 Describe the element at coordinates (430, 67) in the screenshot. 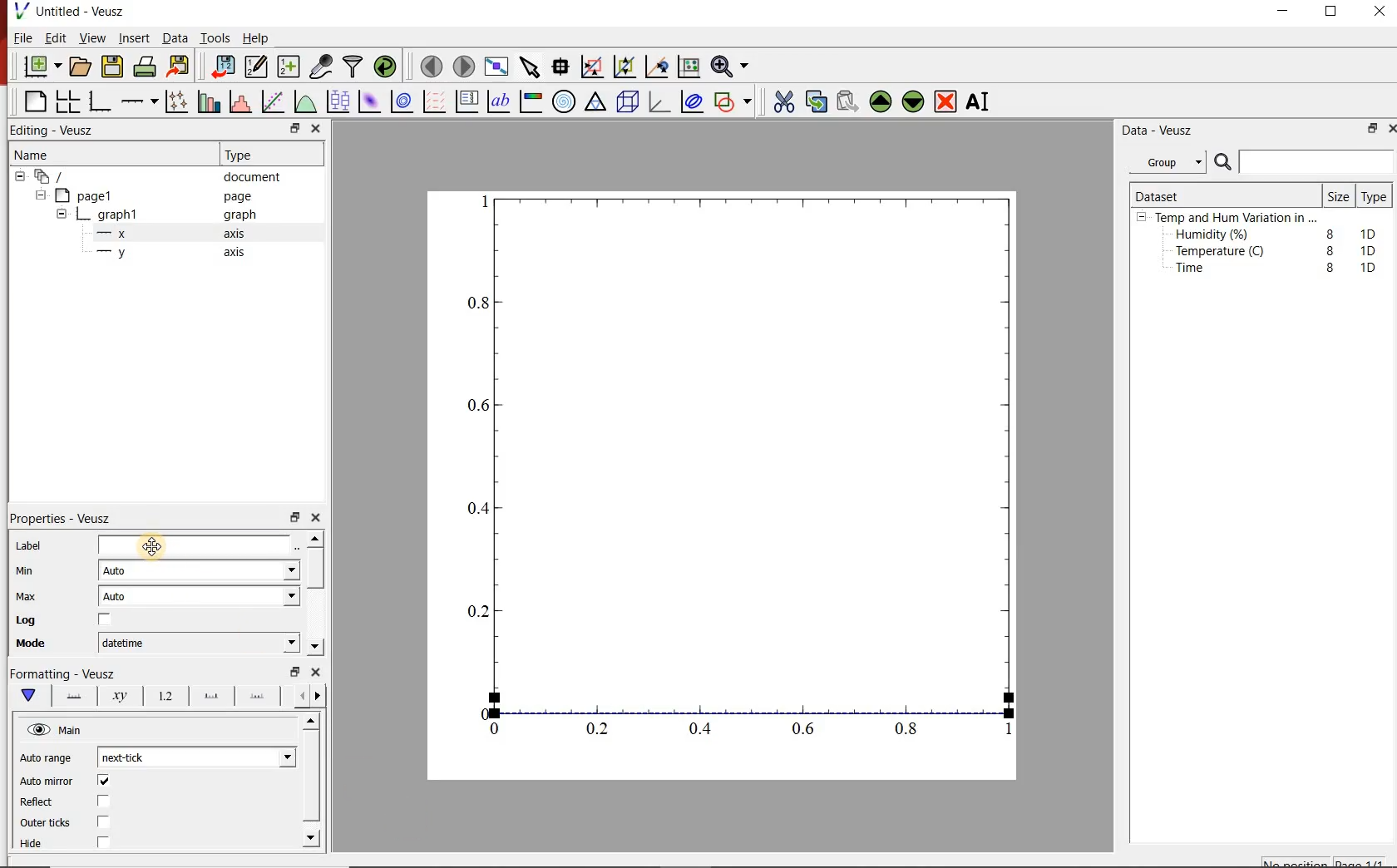

I see `move to the previous page` at that location.